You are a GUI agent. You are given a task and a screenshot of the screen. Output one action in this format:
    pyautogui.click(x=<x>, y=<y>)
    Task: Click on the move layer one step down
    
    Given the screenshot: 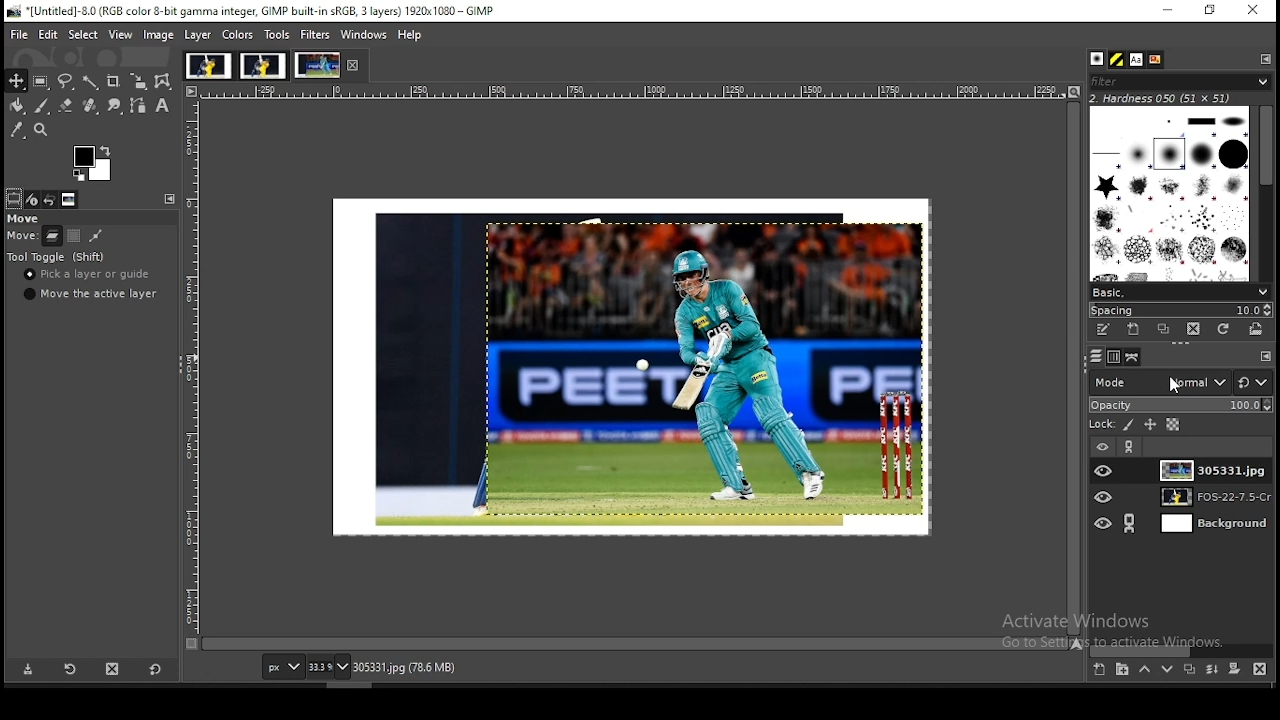 What is the action you would take?
    pyautogui.click(x=1167, y=668)
    